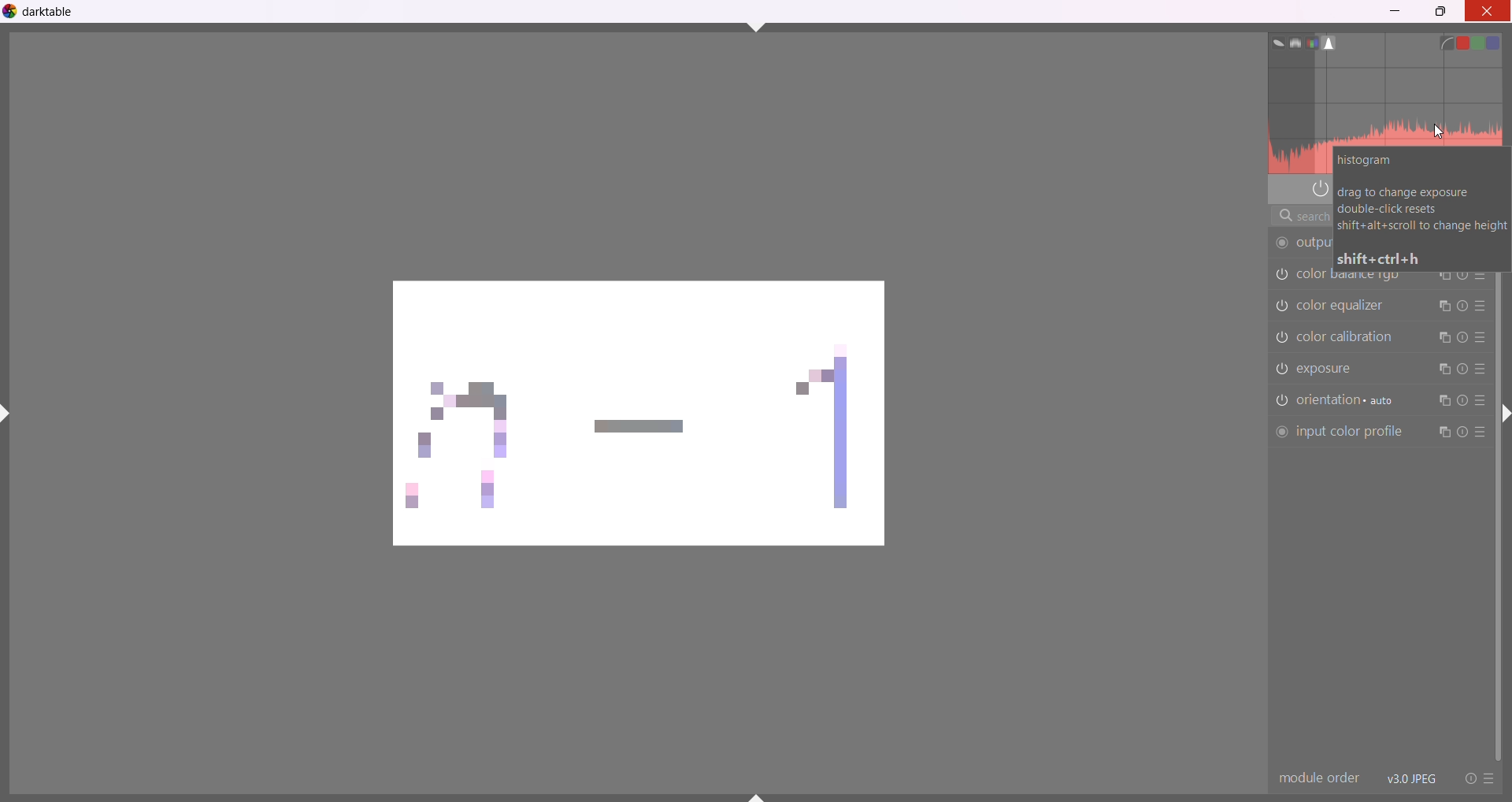 Image resolution: width=1512 pixels, height=802 pixels. Describe the element at coordinates (1317, 778) in the screenshot. I see `module order` at that location.